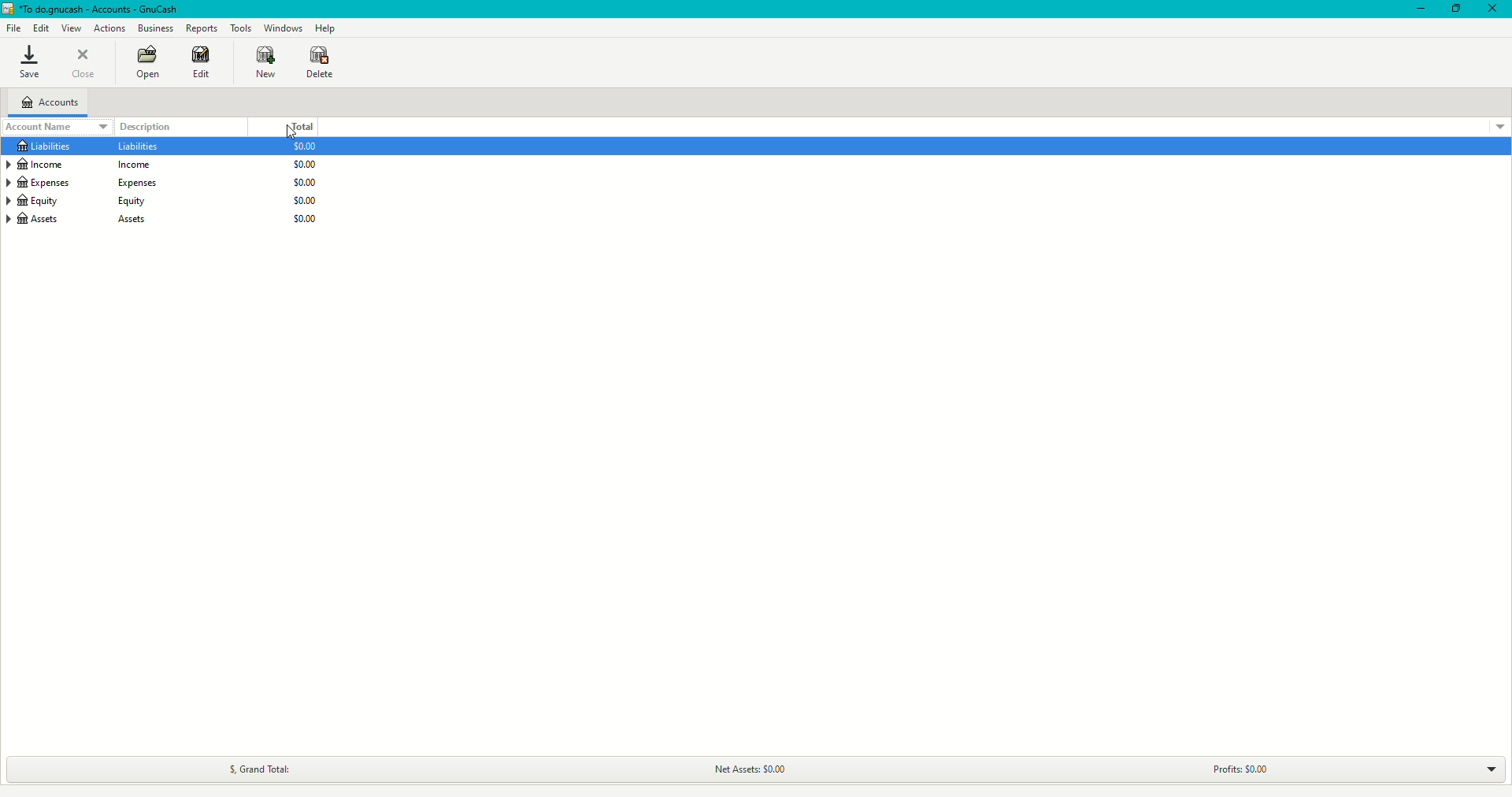 Image resolution: width=1512 pixels, height=797 pixels. I want to click on Actions, so click(108, 28).